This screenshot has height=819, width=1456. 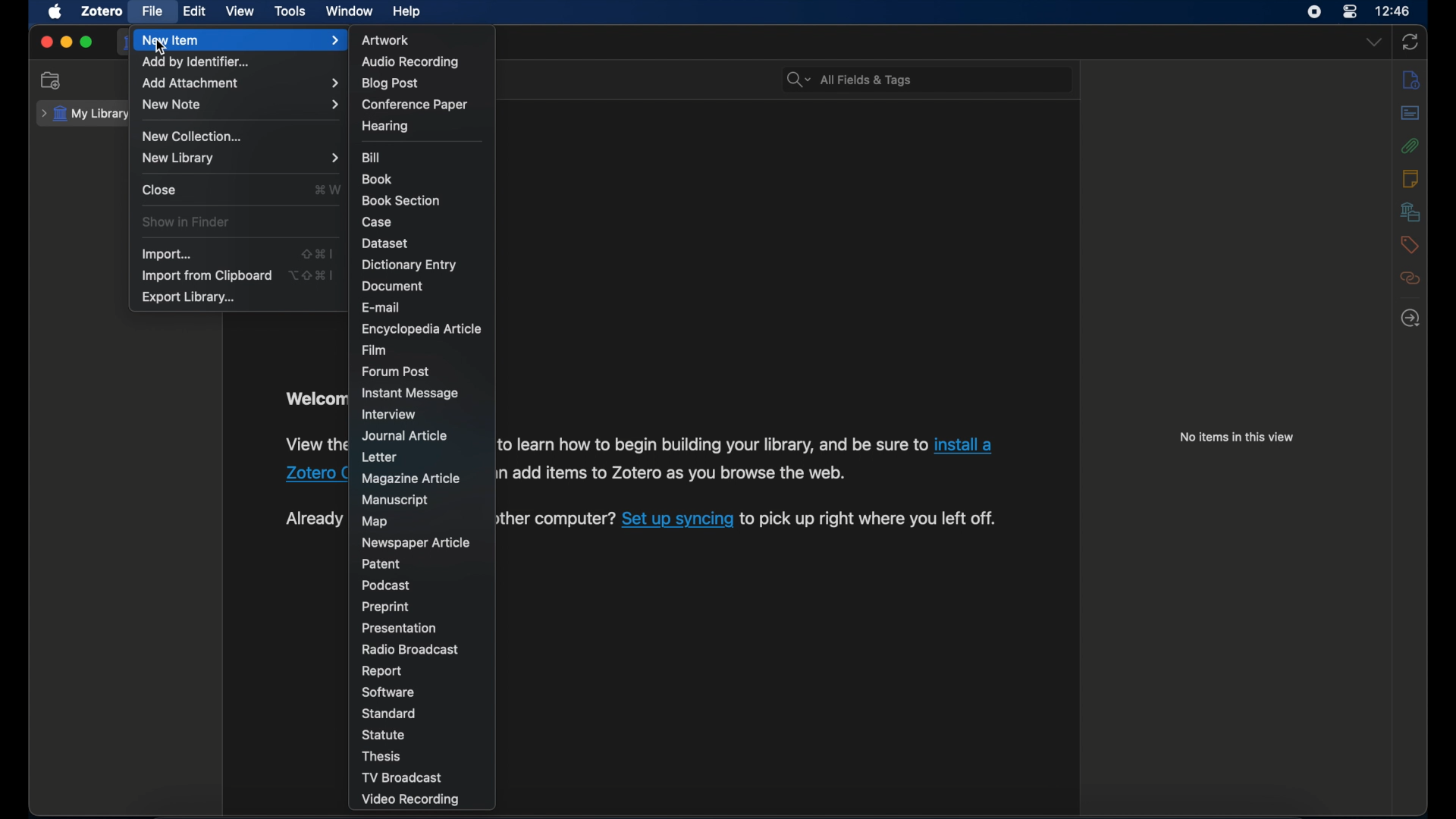 I want to click on newspaper article, so click(x=414, y=544).